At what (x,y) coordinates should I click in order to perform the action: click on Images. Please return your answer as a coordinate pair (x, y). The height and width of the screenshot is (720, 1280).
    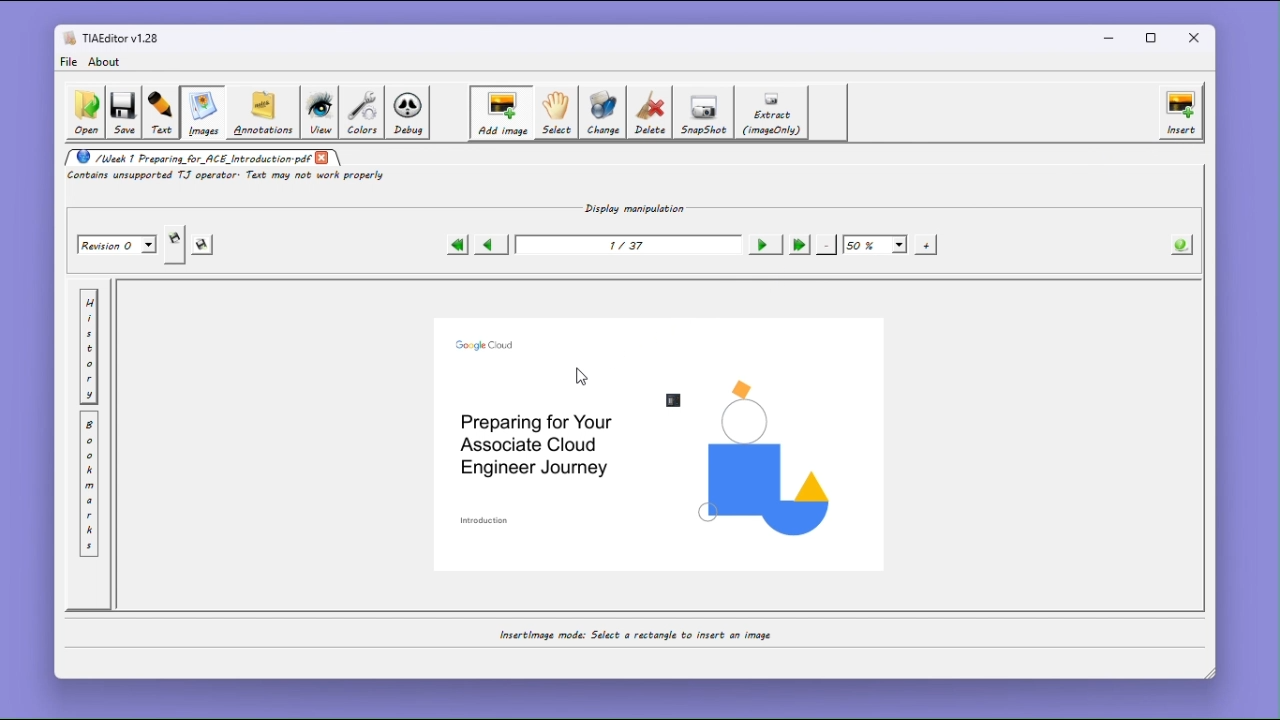
    Looking at the image, I should click on (201, 113).